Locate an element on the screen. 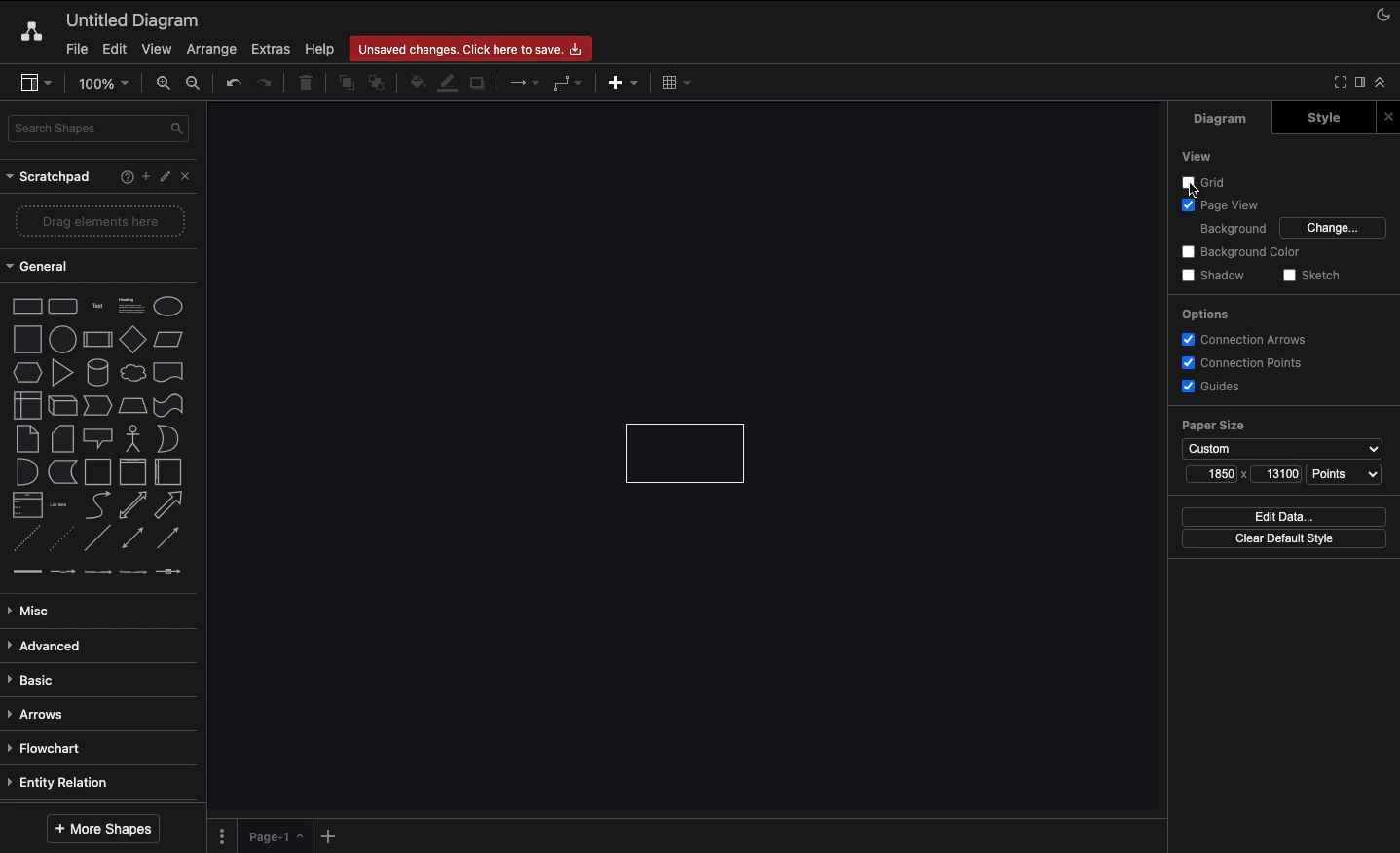  Diagram is located at coordinates (138, 18).